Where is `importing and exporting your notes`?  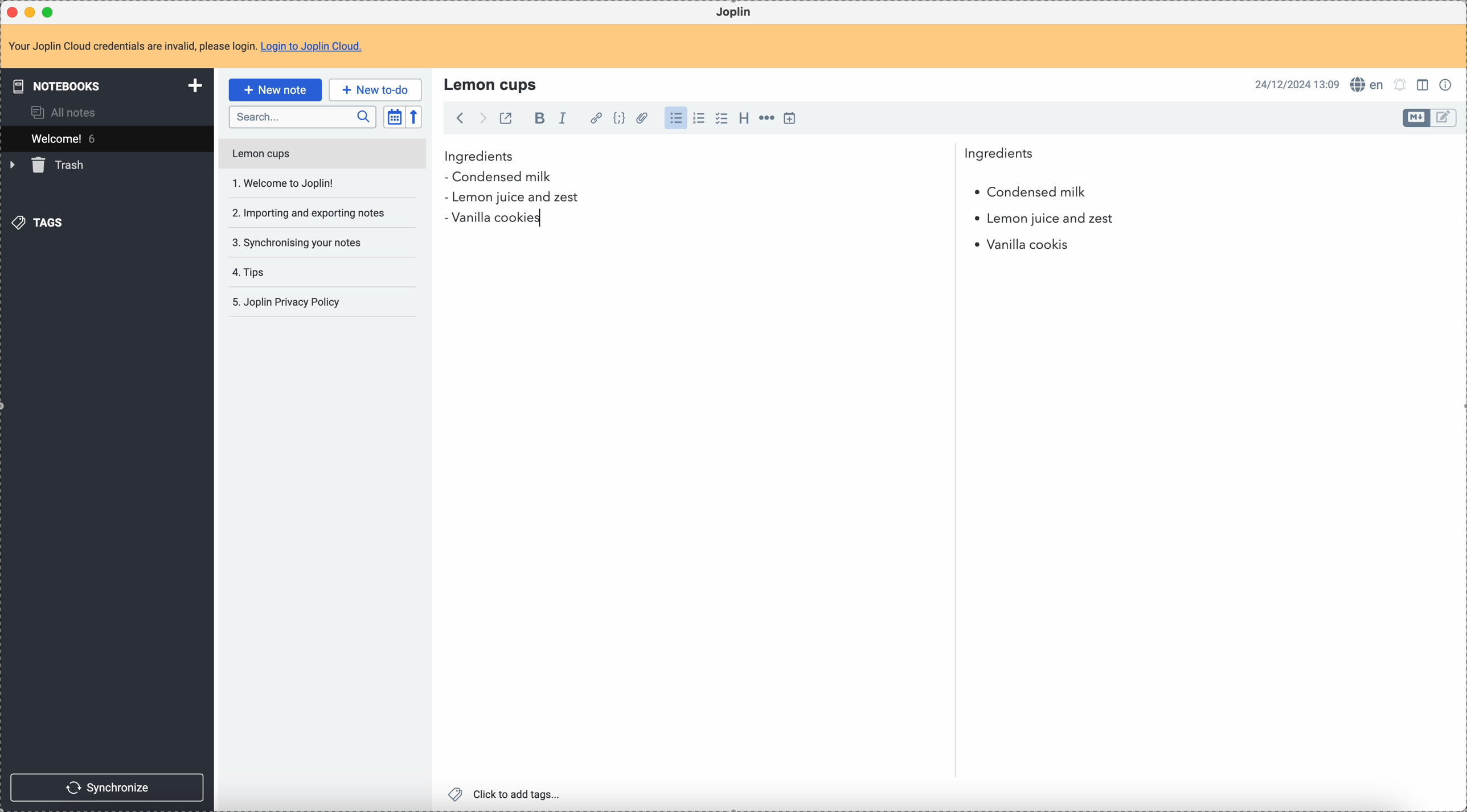 importing and exporting your notes is located at coordinates (310, 213).